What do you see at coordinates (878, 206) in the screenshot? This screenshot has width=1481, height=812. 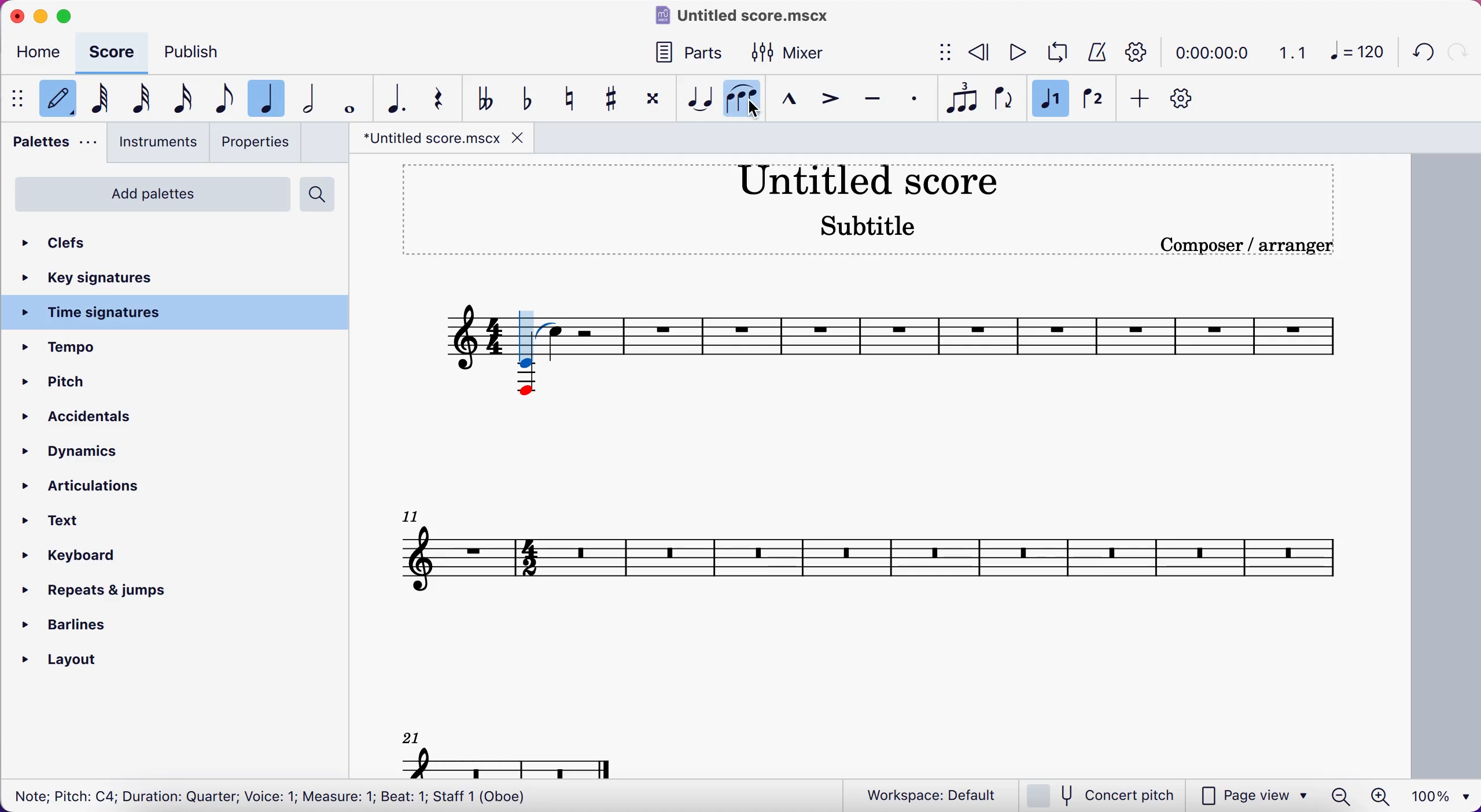 I see `untitled score subtitle composer/arranger` at bounding box center [878, 206].